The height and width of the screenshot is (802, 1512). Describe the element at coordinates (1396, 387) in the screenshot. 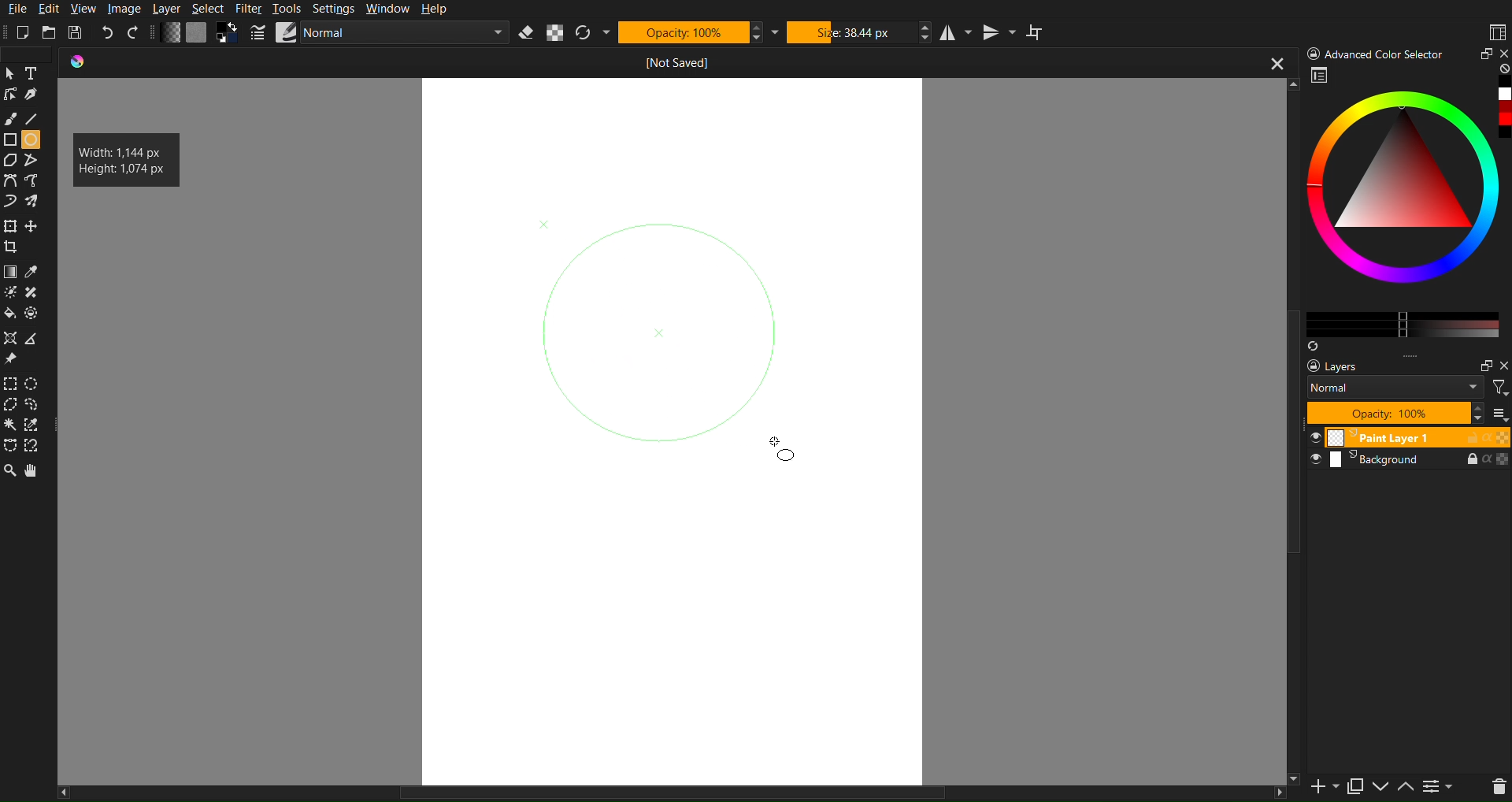

I see `Normal` at that location.